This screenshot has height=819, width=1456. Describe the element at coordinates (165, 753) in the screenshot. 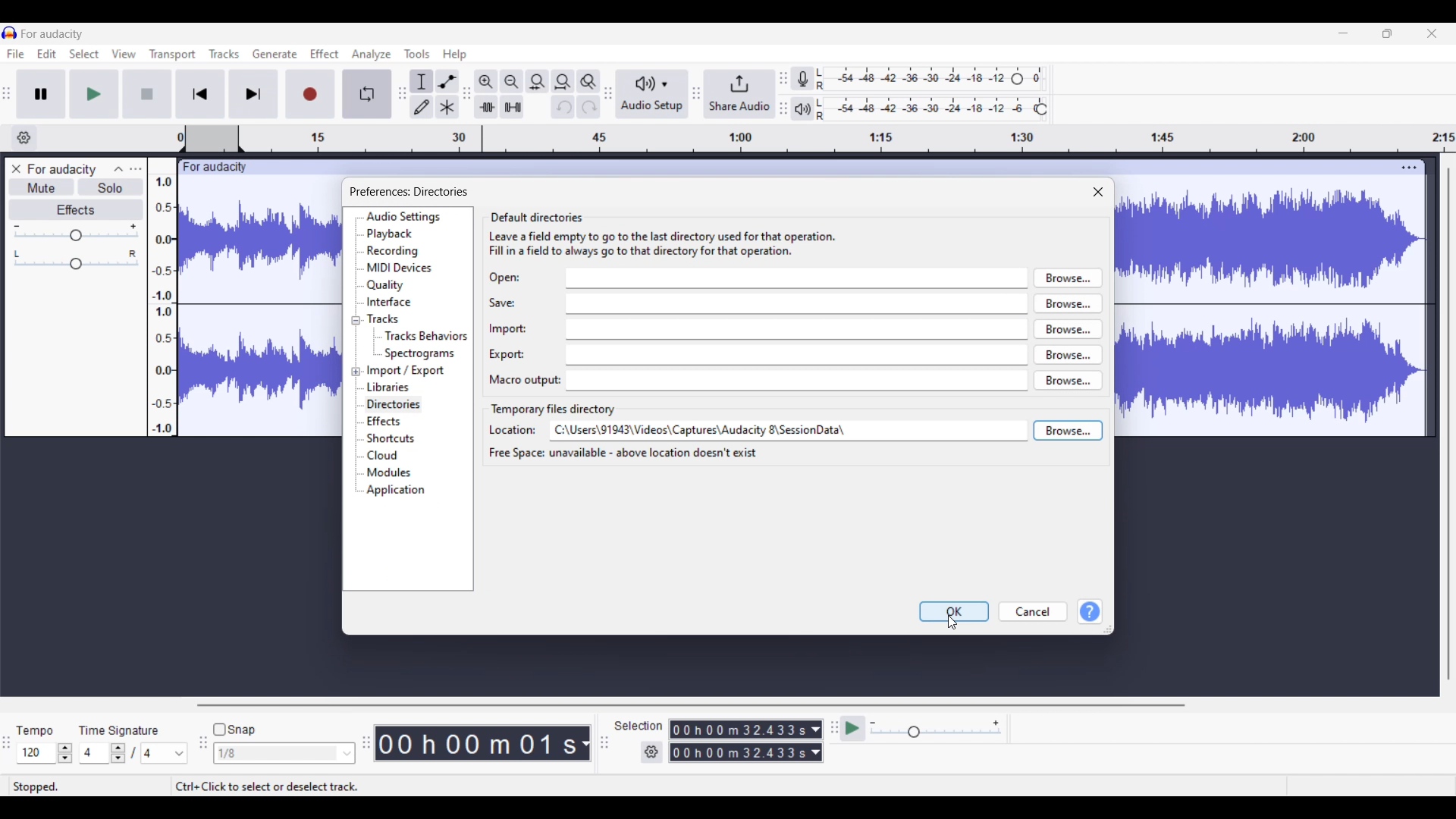

I see `Options for max. time signature` at that location.